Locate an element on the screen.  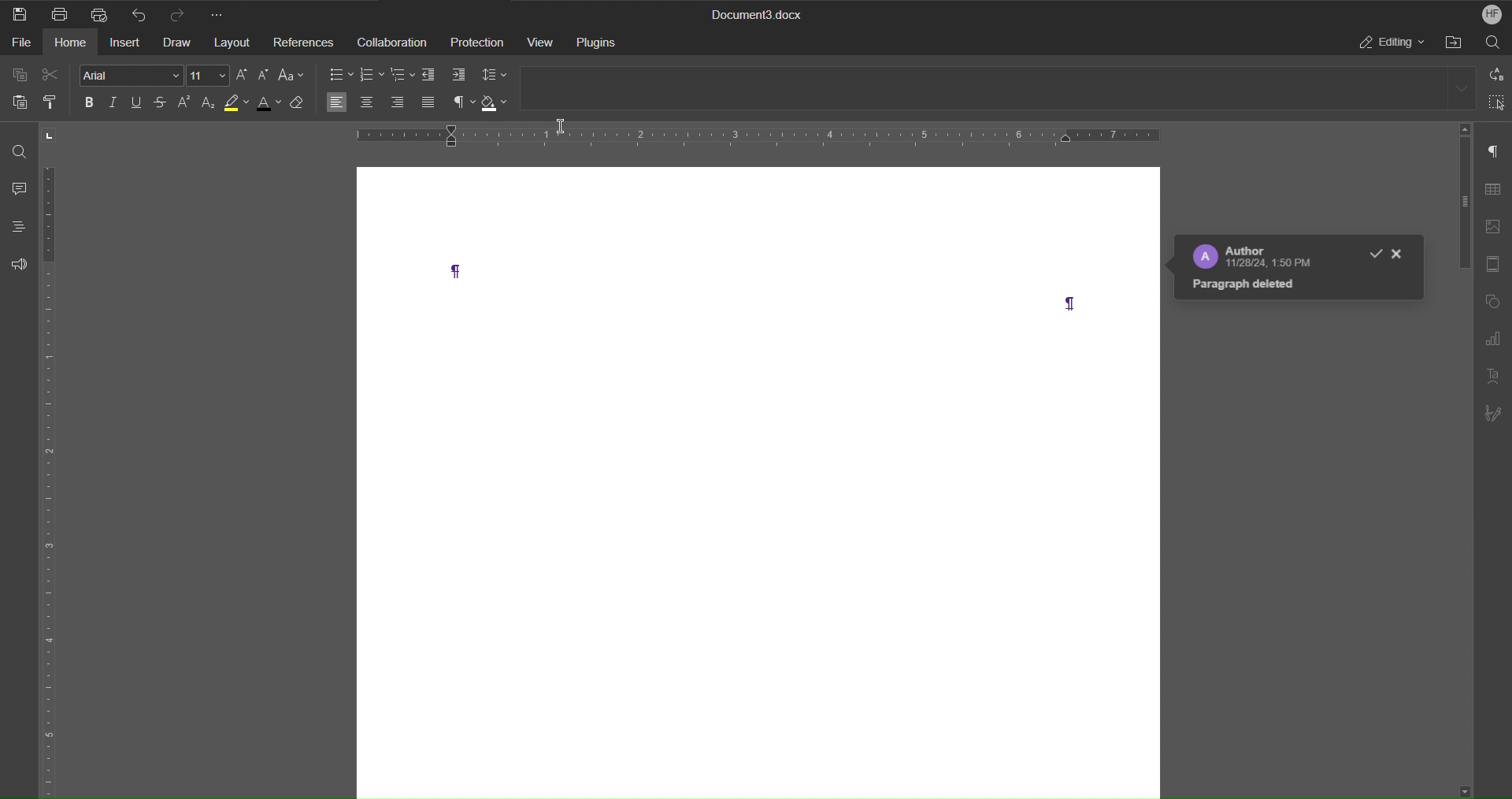
Scroll bar is located at coordinates (1458, 341).